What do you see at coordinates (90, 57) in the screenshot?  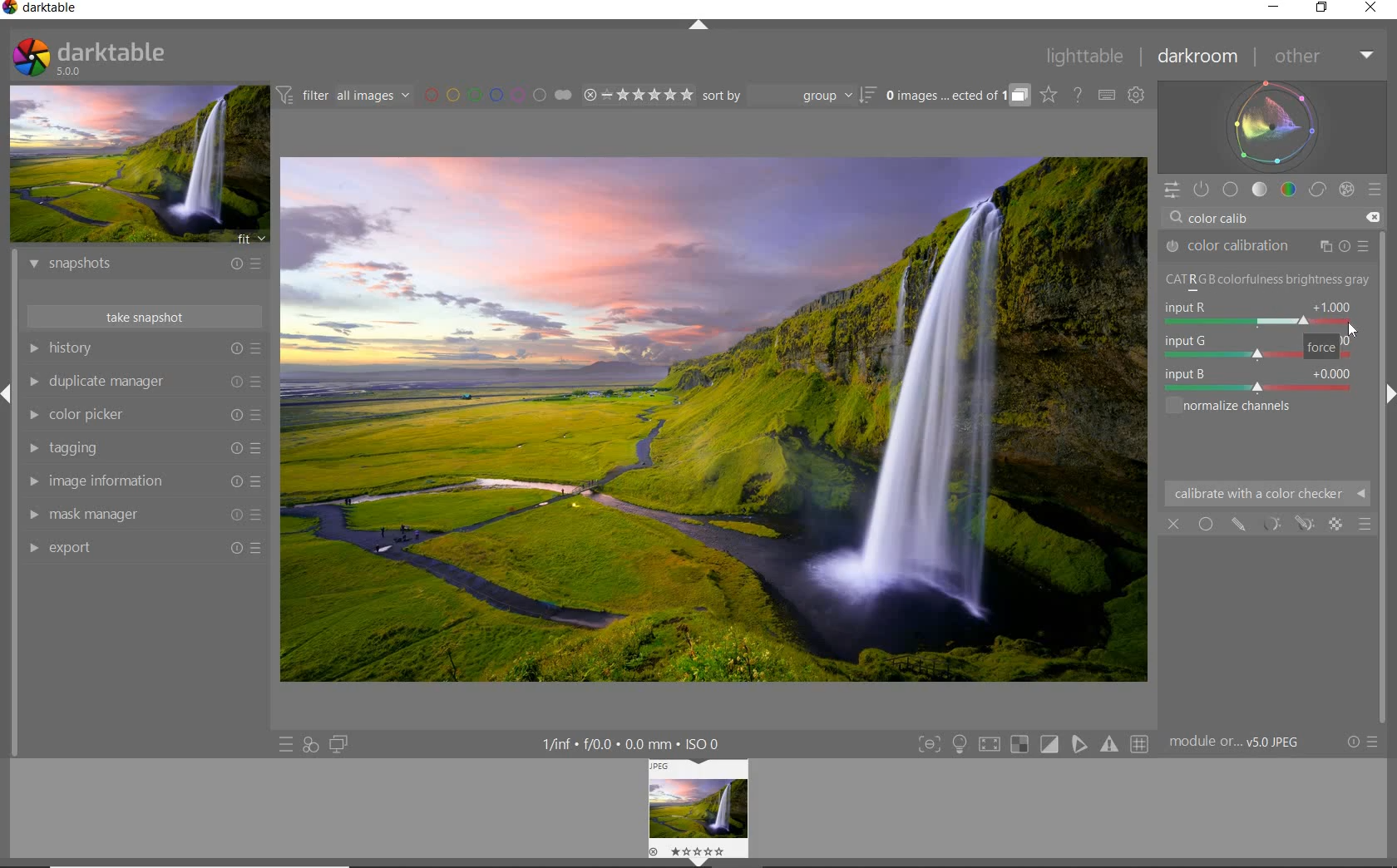 I see `SYSTEM LOGO` at bounding box center [90, 57].